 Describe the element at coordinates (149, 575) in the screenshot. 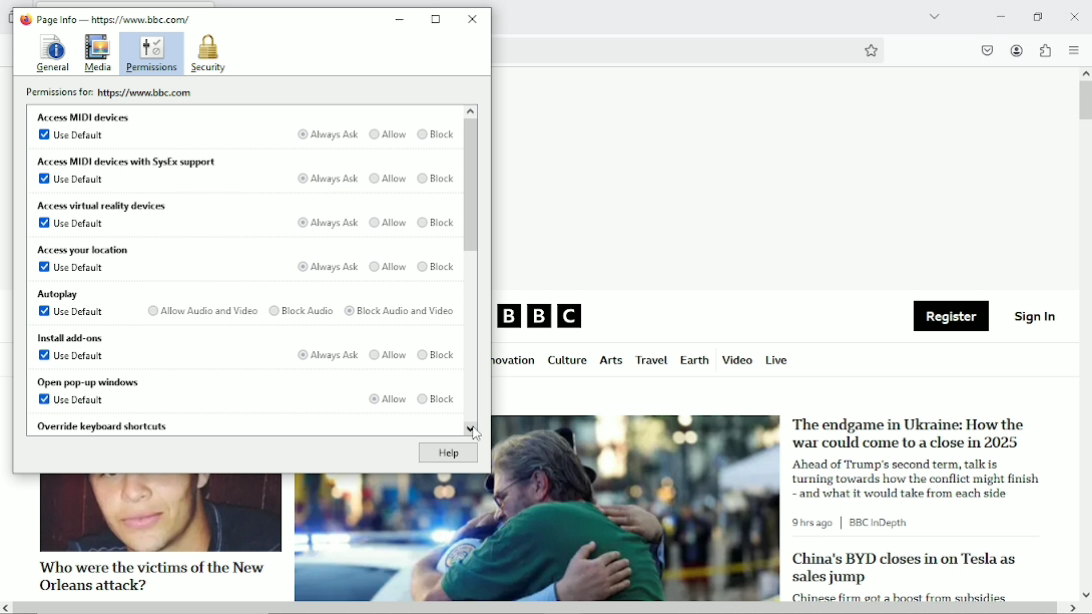

I see `Who were the victims of the New Orleans attack?` at that location.